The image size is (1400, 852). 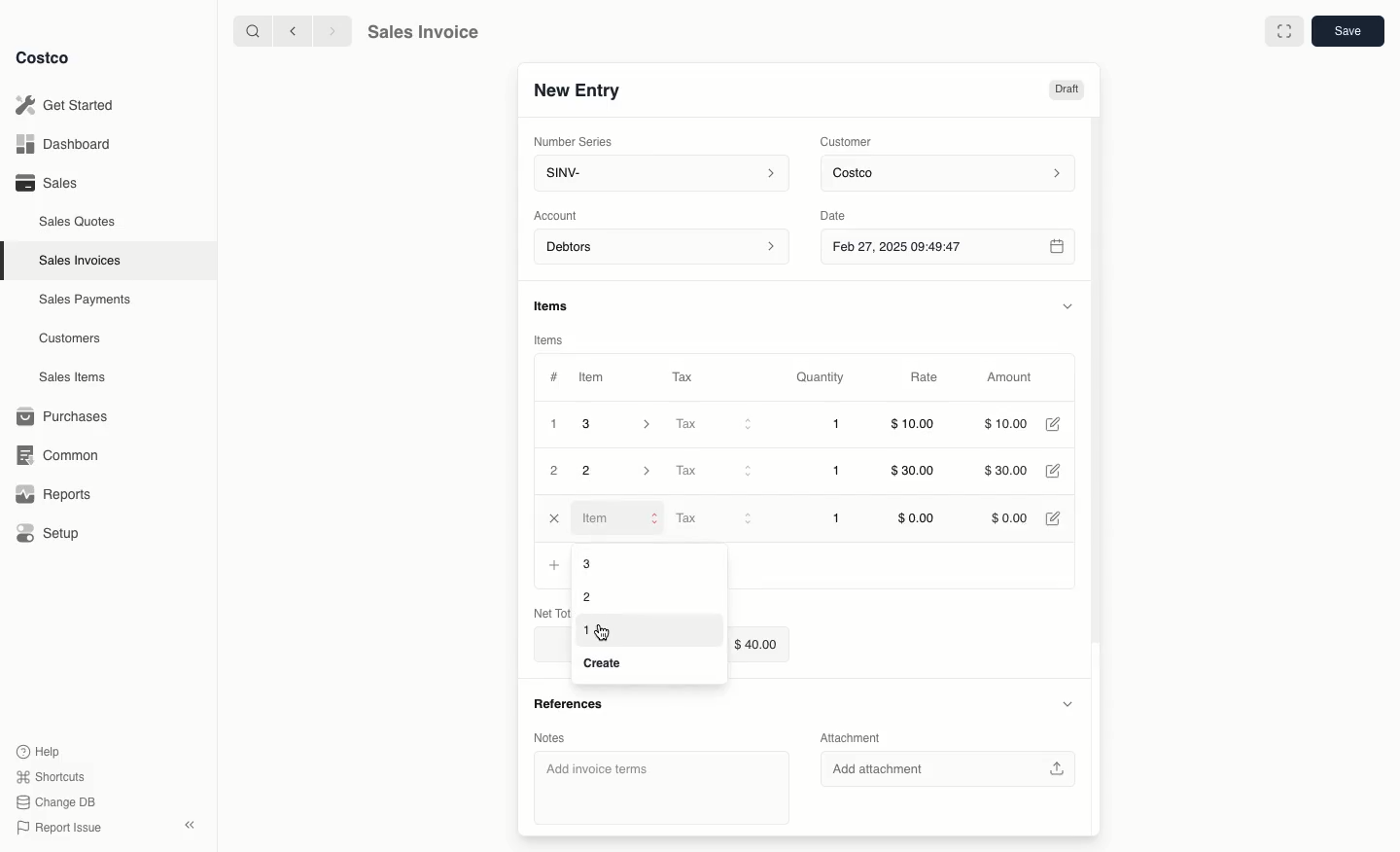 What do you see at coordinates (422, 32) in the screenshot?
I see `Sales Invoice` at bounding box center [422, 32].